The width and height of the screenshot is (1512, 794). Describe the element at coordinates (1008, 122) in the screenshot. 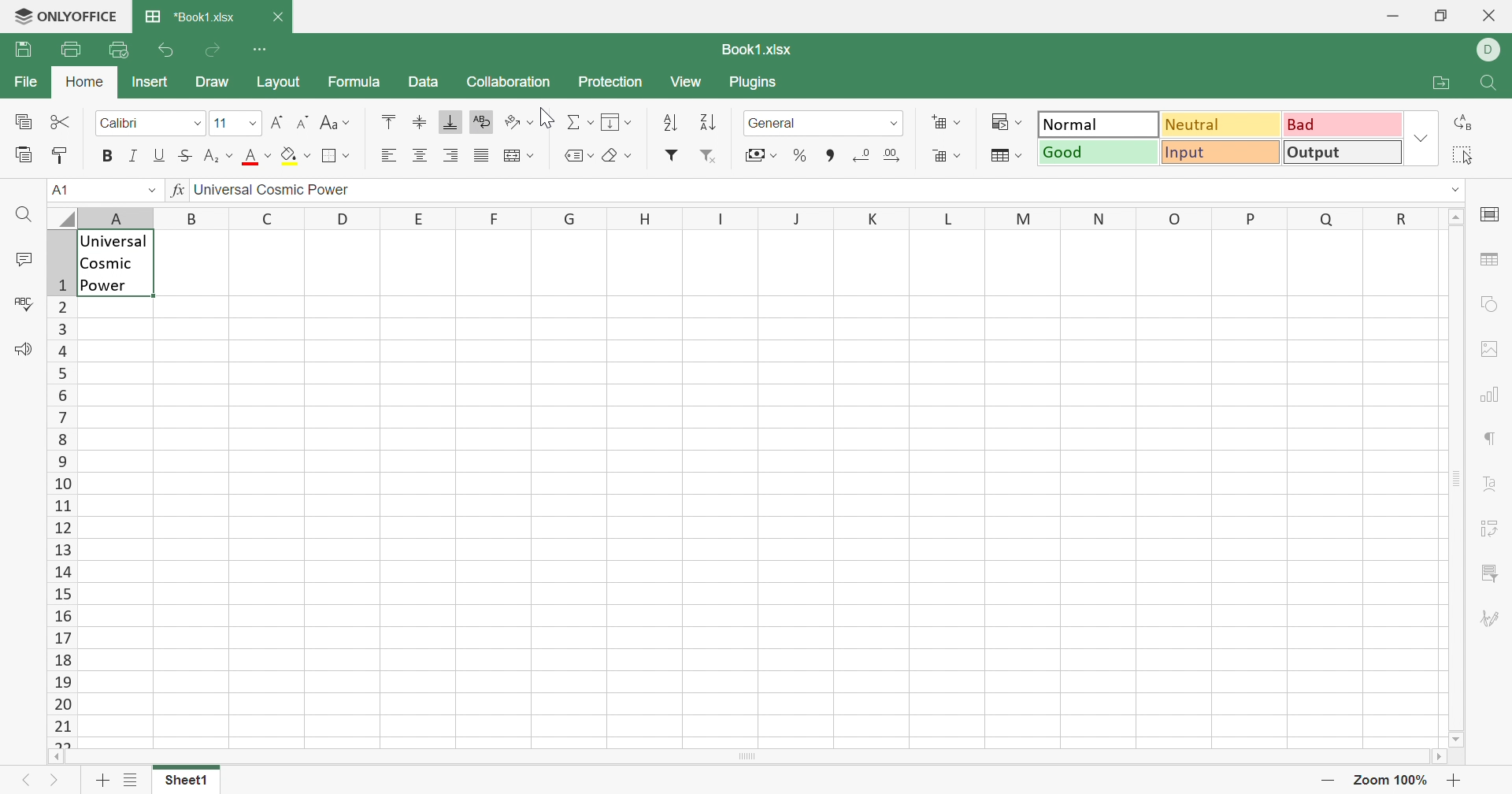

I see `Conditional formatting` at that location.